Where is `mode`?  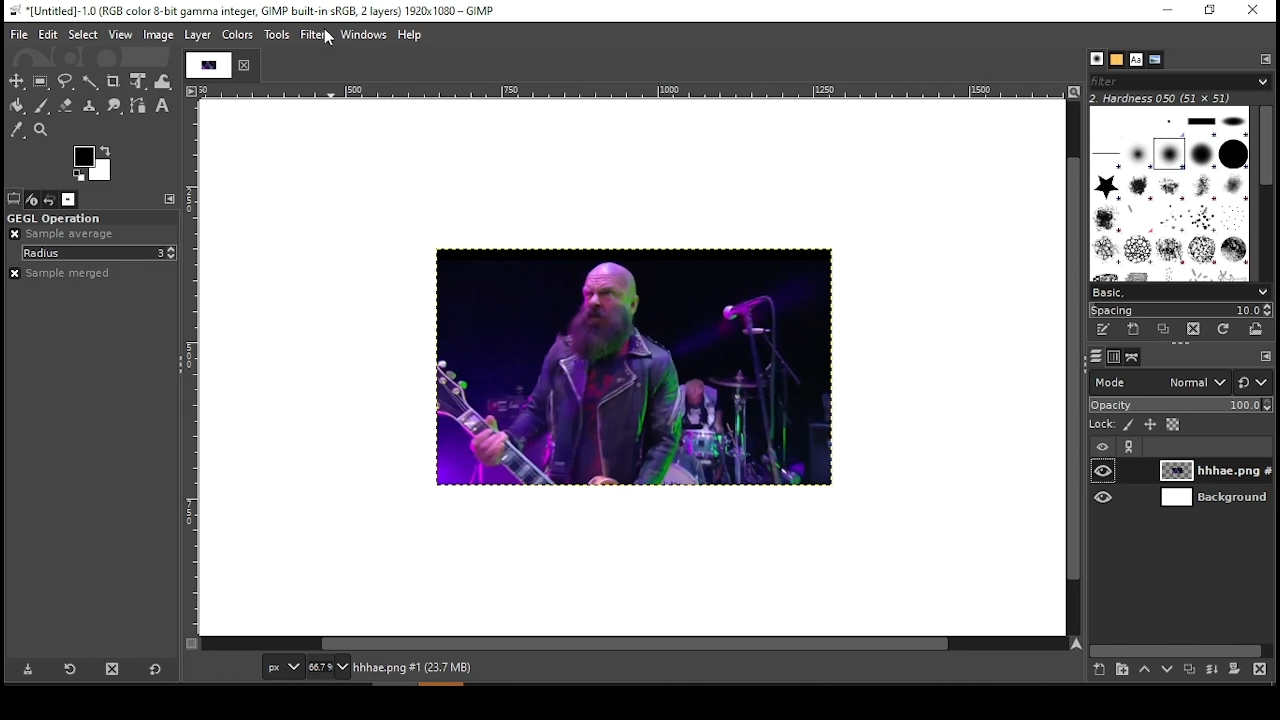 mode is located at coordinates (1160, 383).